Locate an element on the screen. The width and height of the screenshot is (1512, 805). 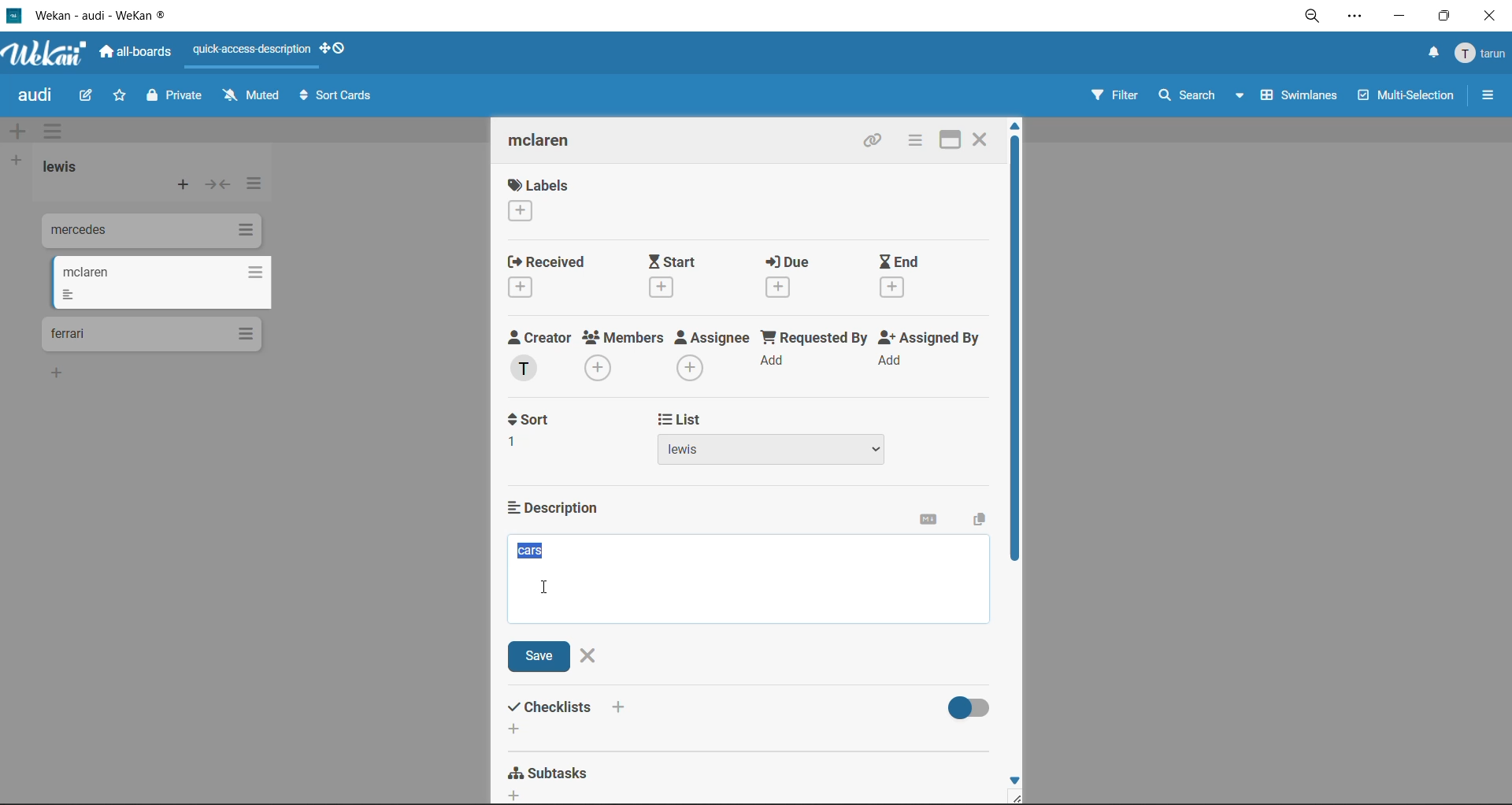
assignee is located at coordinates (713, 355).